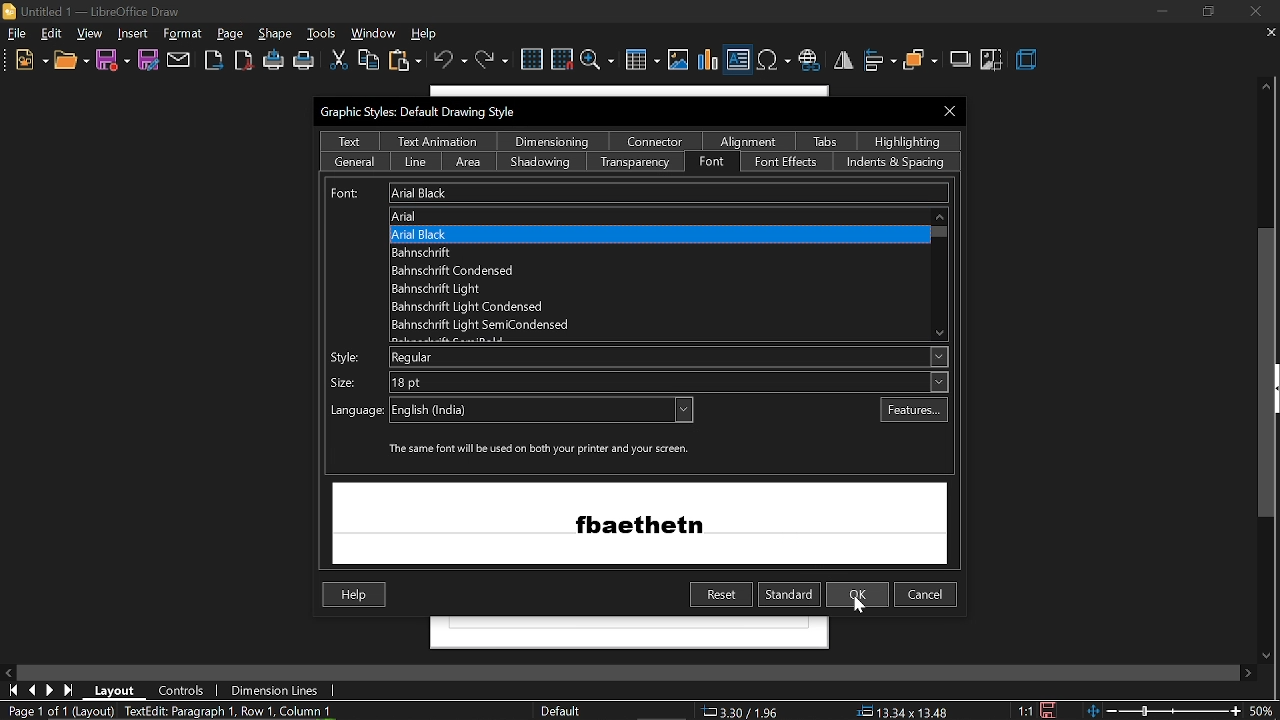  I want to click on Style, so click(350, 355).